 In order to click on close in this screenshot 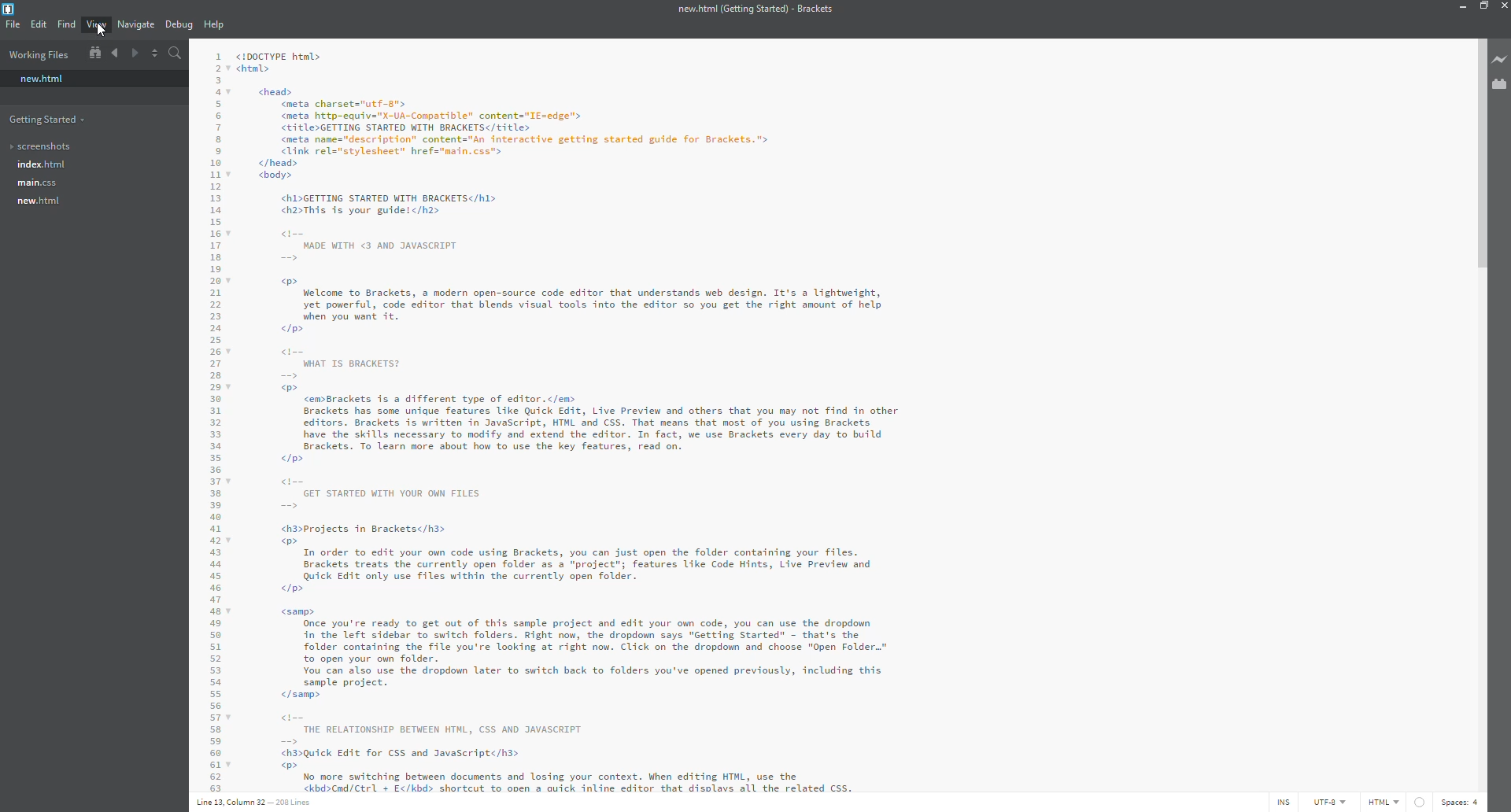, I will do `click(1503, 7)`.